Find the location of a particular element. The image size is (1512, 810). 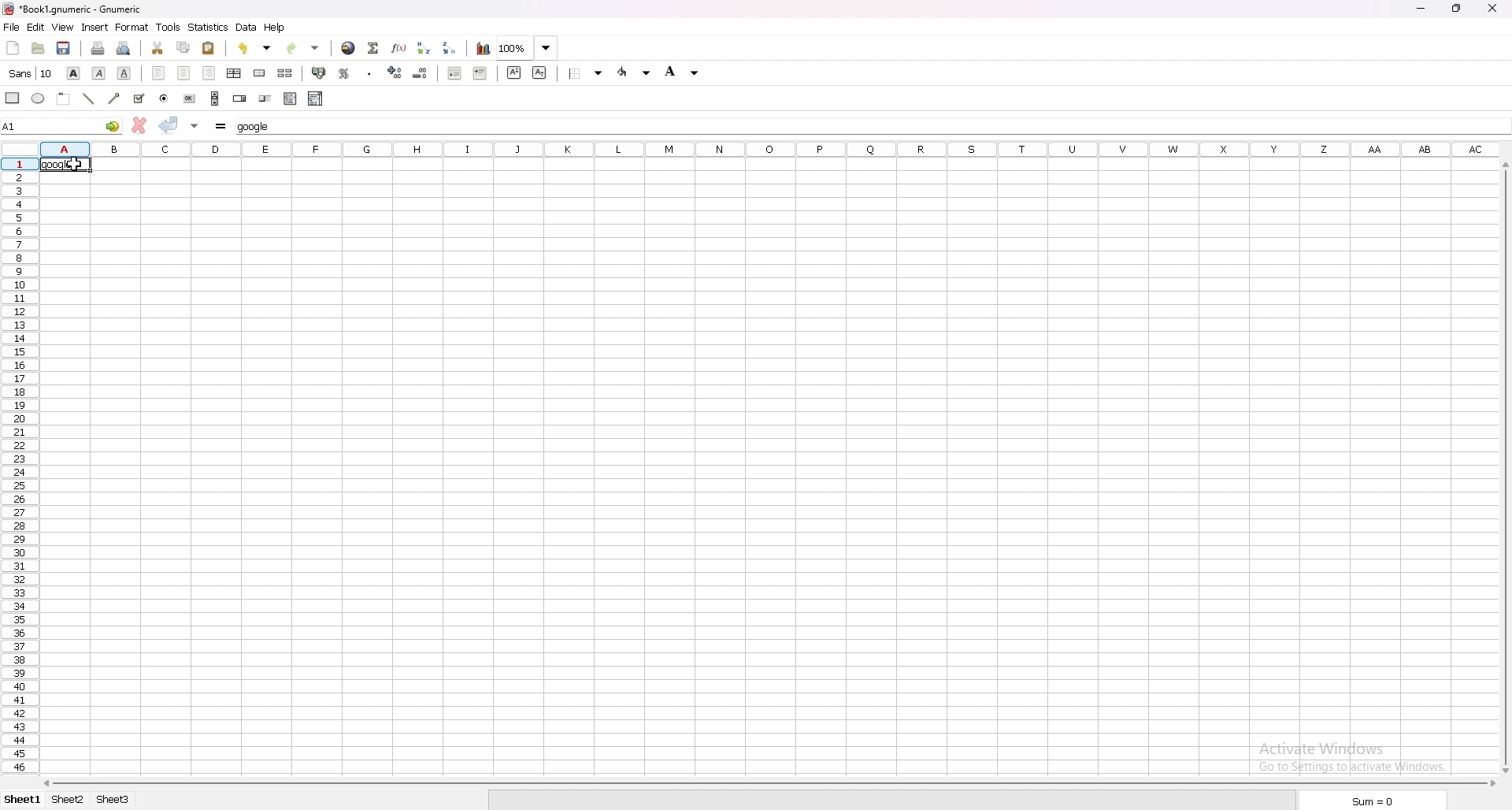

selected cell is located at coordinates (64, 165).